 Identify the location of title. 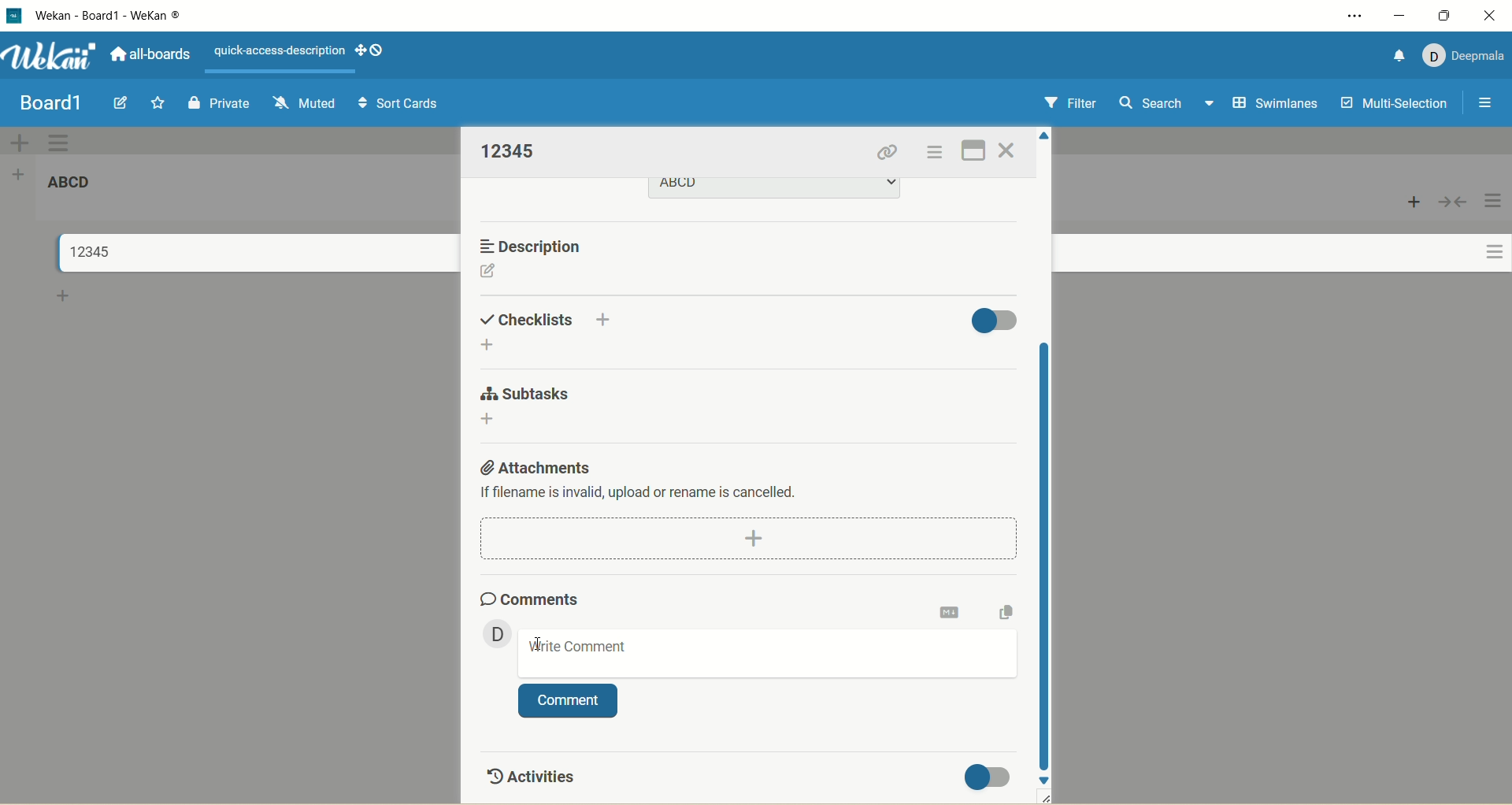
(83, 252).